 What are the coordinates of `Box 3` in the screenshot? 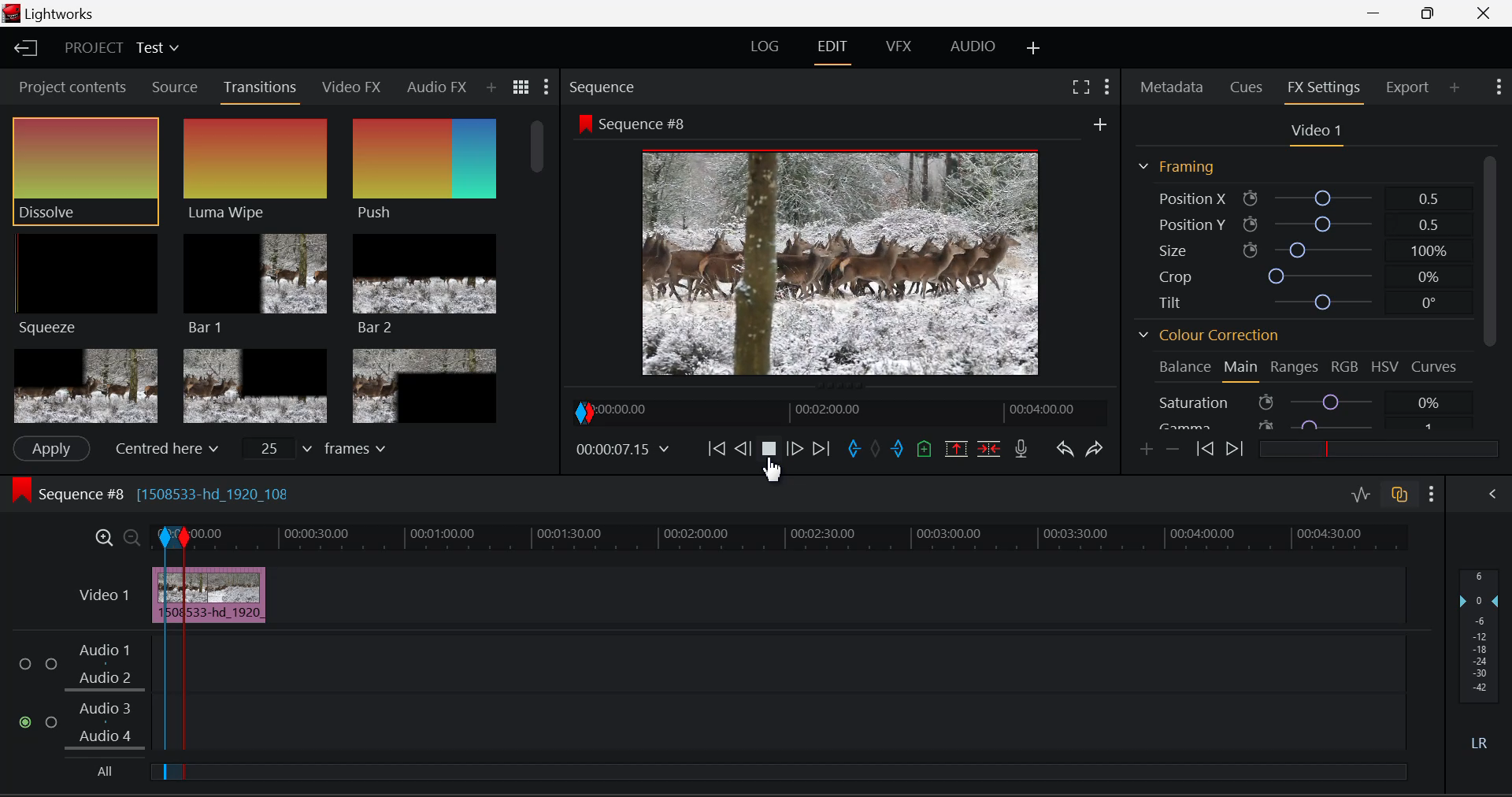 It's located at (426, 383).